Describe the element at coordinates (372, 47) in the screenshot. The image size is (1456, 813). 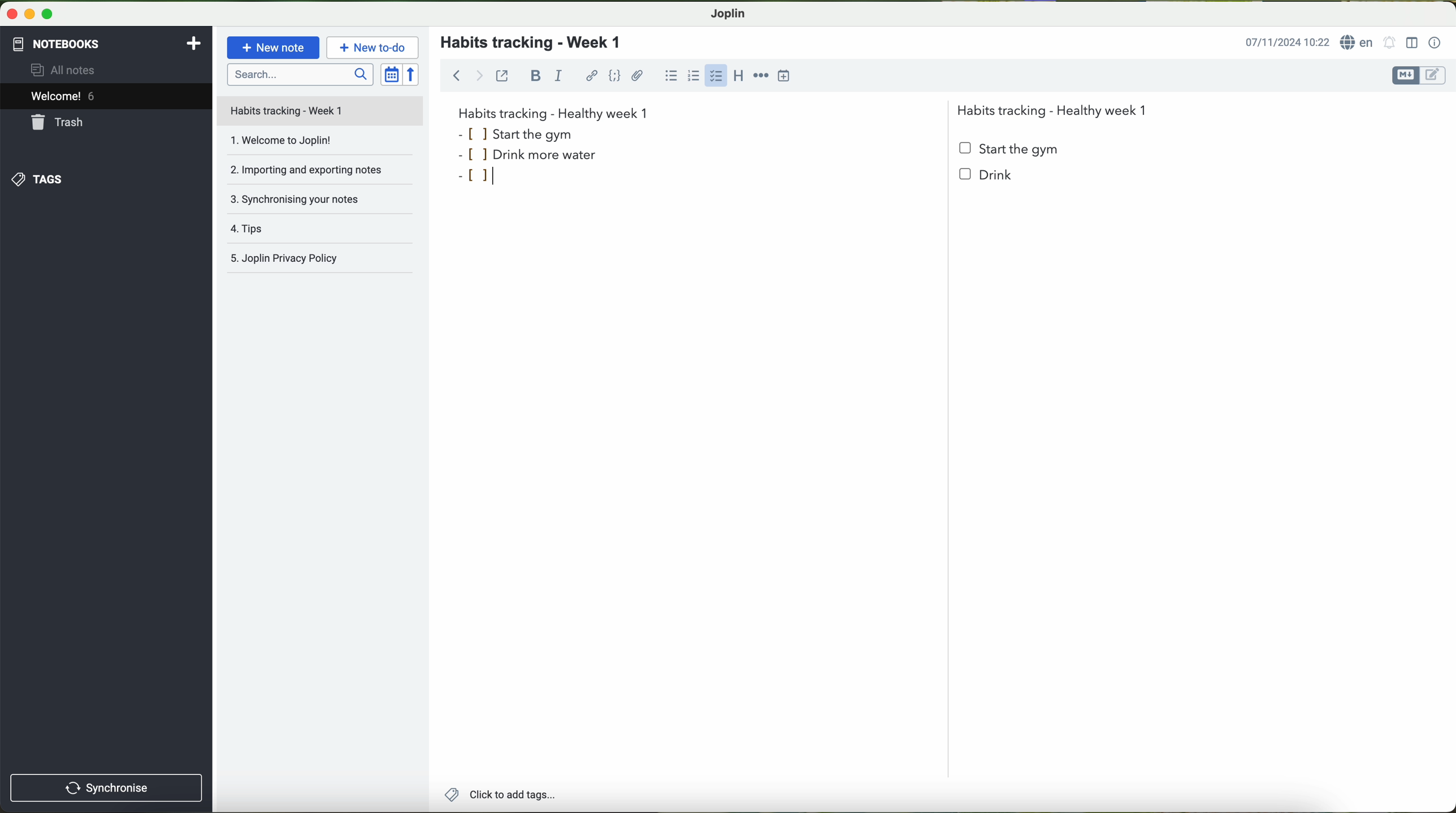
I see `new to-do button` at that location.